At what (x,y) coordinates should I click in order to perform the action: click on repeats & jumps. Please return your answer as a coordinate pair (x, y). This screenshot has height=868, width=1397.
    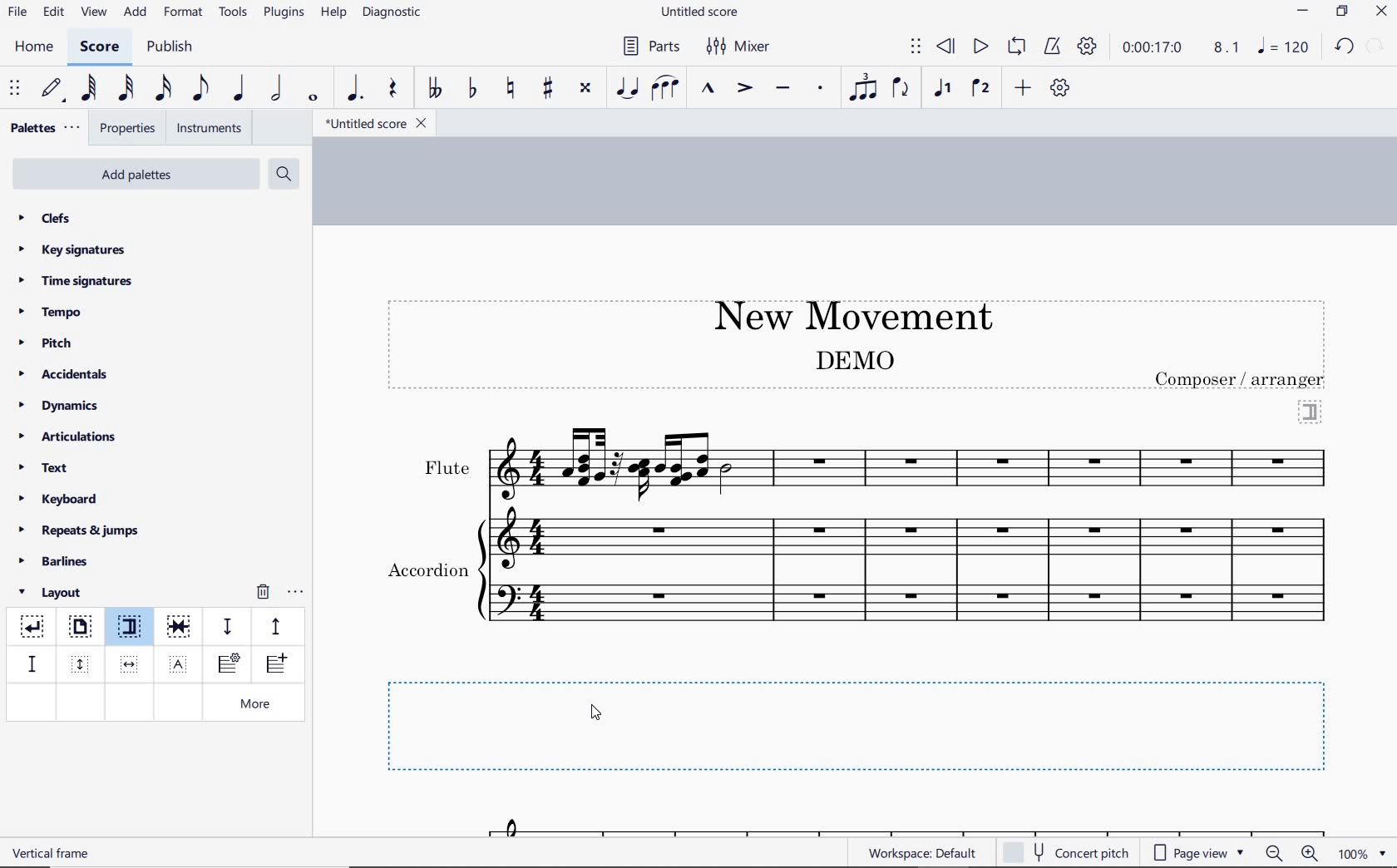
    Looking at the image, I should click on (79, 528).